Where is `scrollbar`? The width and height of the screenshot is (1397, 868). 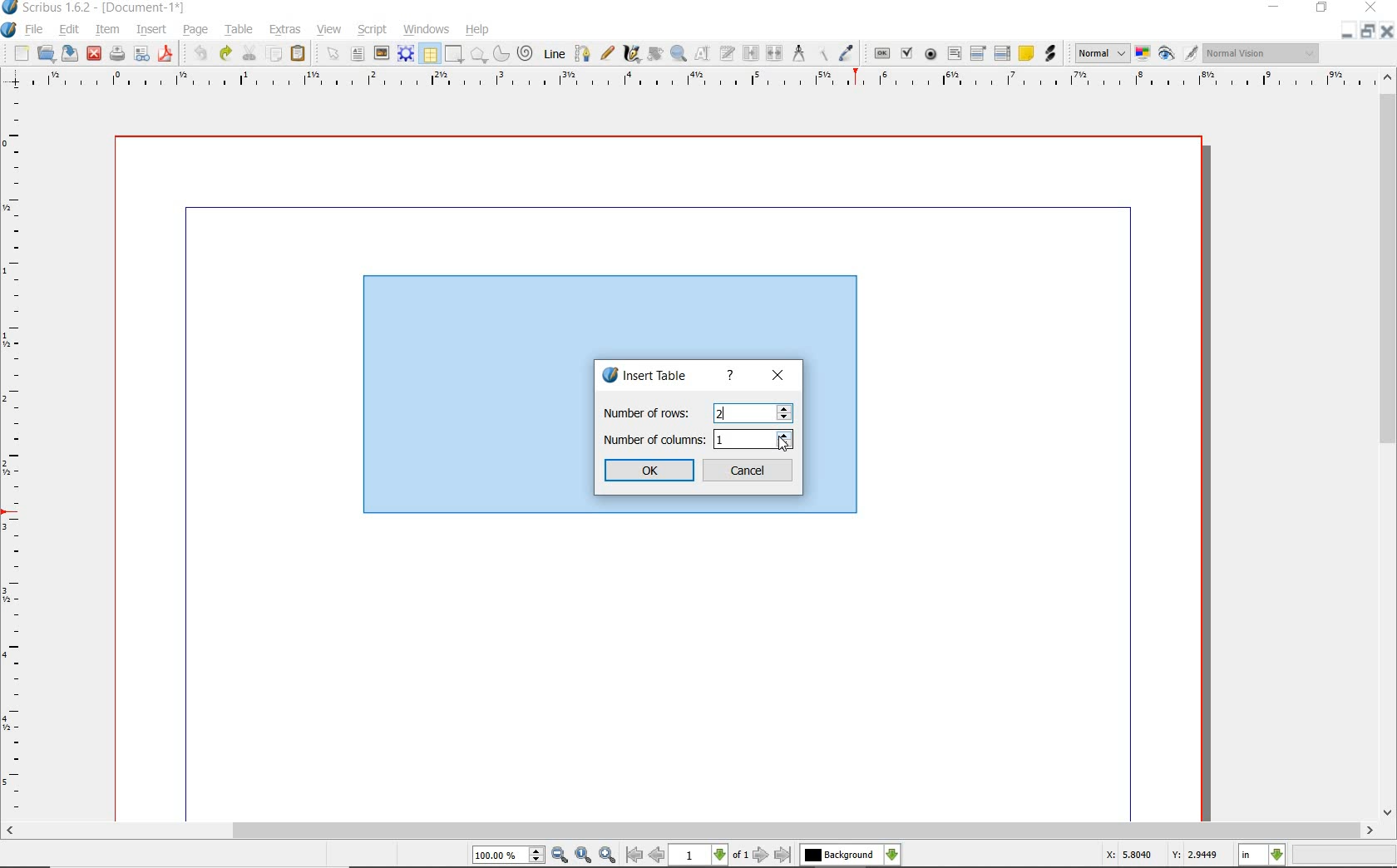 scrollbar is located at coordinates (691, 831).